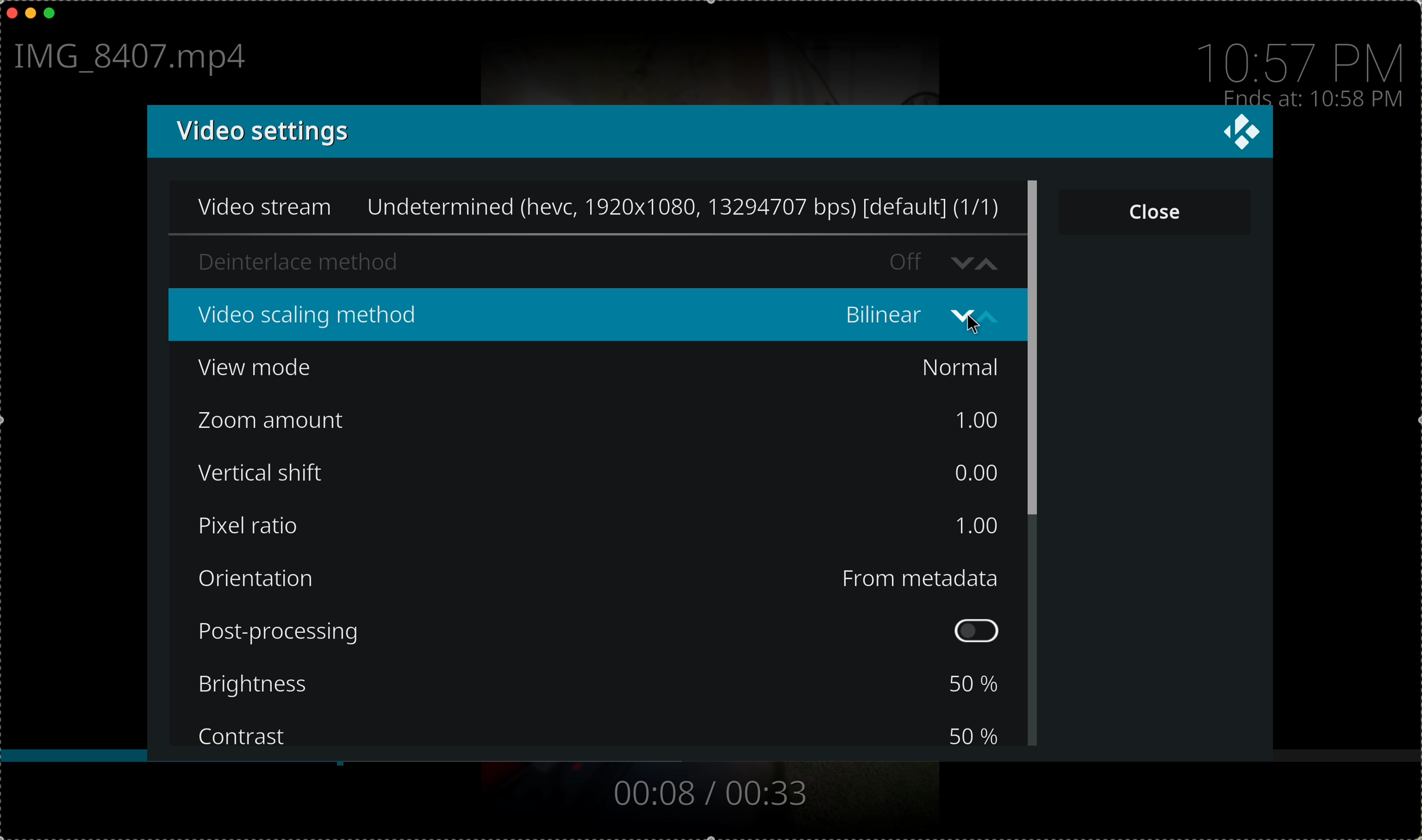 The image size is (1422, 840). What do you see at coordinates (707, 793) in the screenshot?
I see `00:08/00:33` at bounding box center [707, 793].